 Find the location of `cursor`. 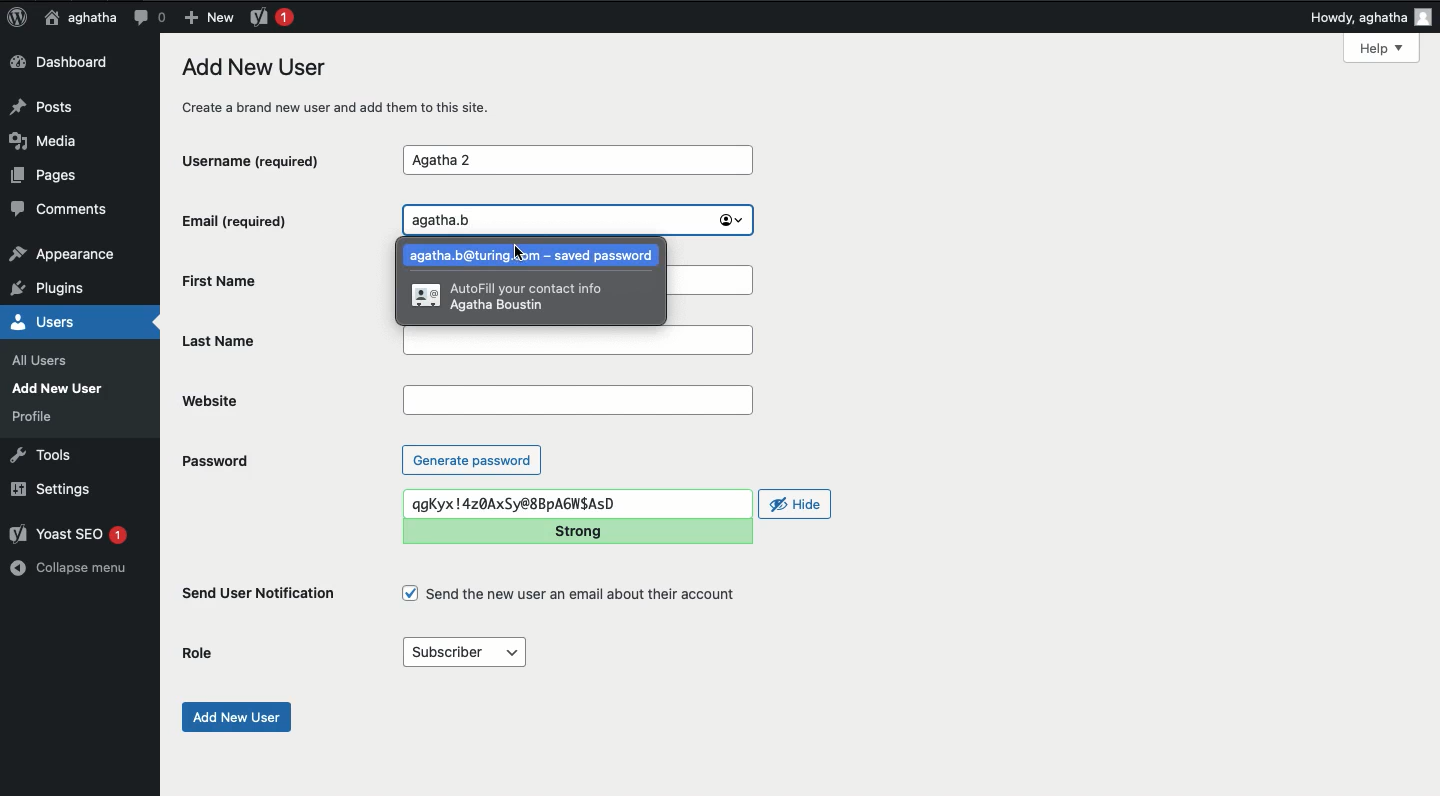

cursor is located at coordinates (518, 253).